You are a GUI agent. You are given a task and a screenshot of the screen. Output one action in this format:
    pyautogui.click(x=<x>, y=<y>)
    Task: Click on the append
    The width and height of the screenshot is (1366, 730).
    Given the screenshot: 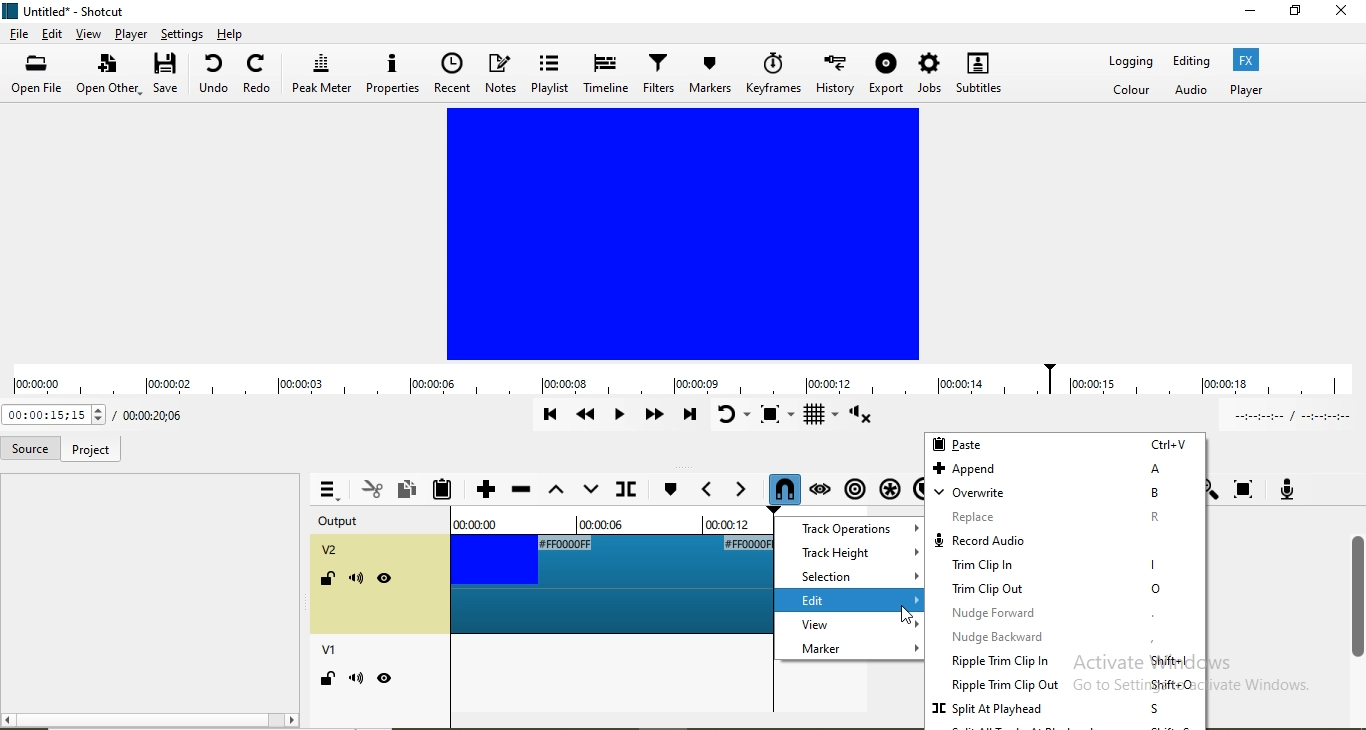 What is the action you would take?
    pyautogui.click(x=1064, y=469)
    